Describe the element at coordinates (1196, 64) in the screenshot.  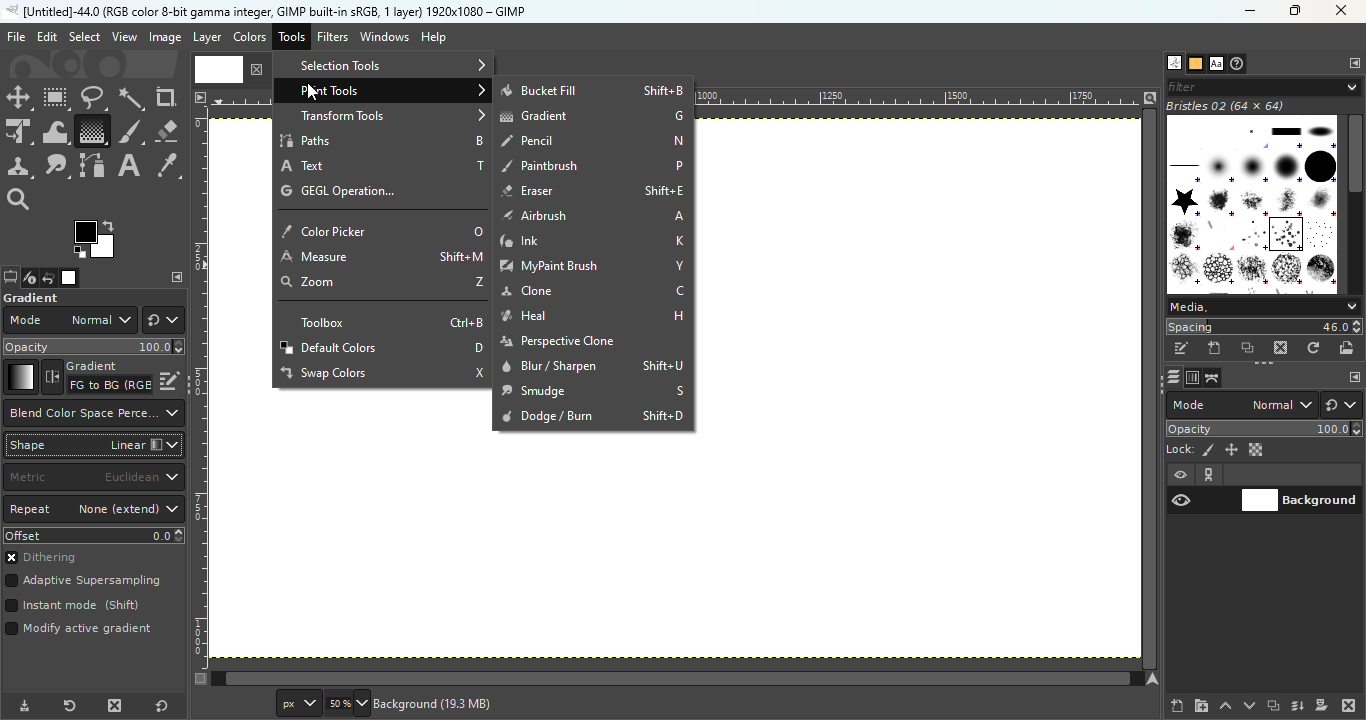
I see `Open the patterns dialog` at that location.